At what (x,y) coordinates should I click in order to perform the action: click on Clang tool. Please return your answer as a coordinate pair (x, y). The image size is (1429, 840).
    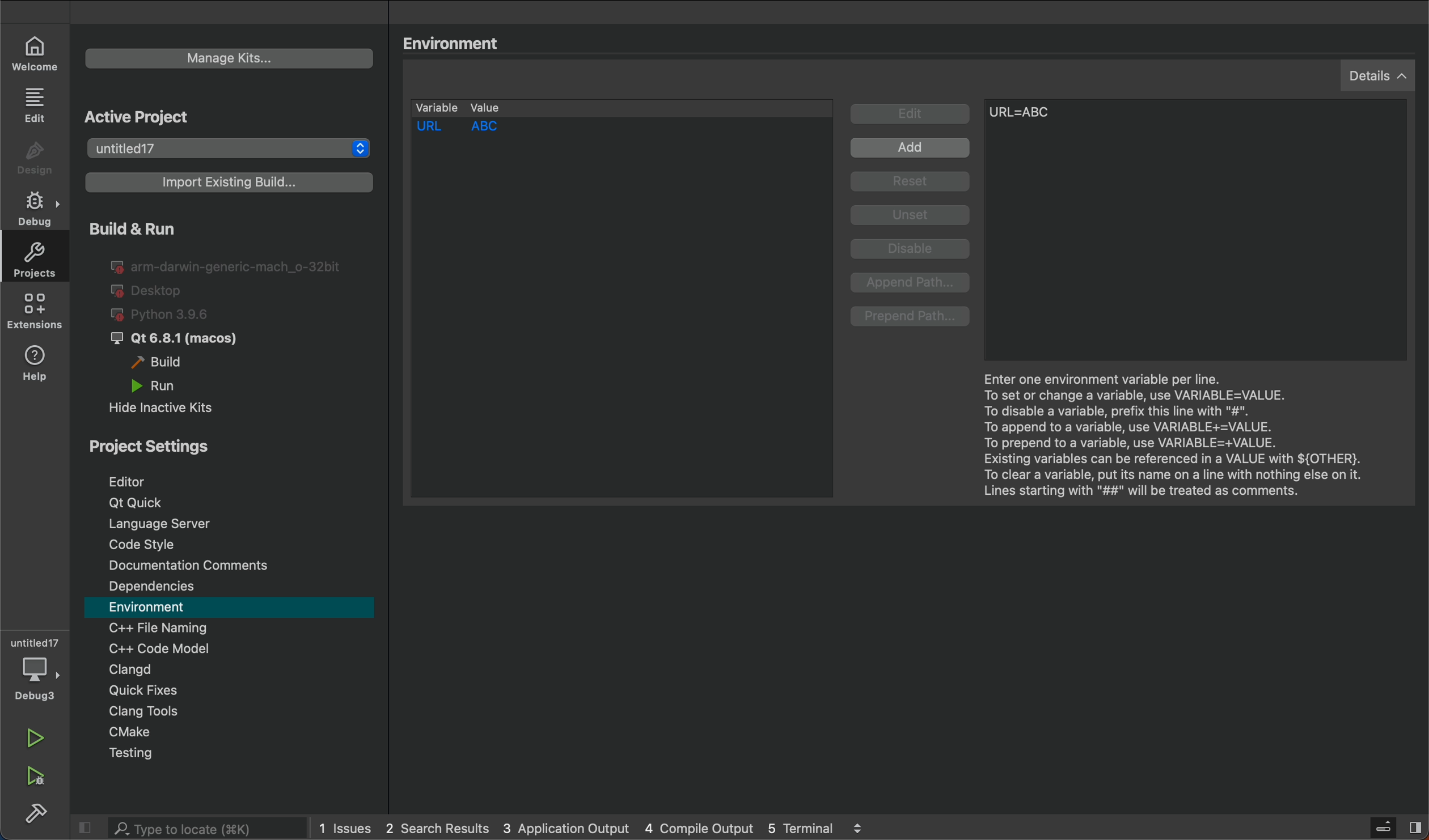
    Looking at the image, I should click on (238, 712).